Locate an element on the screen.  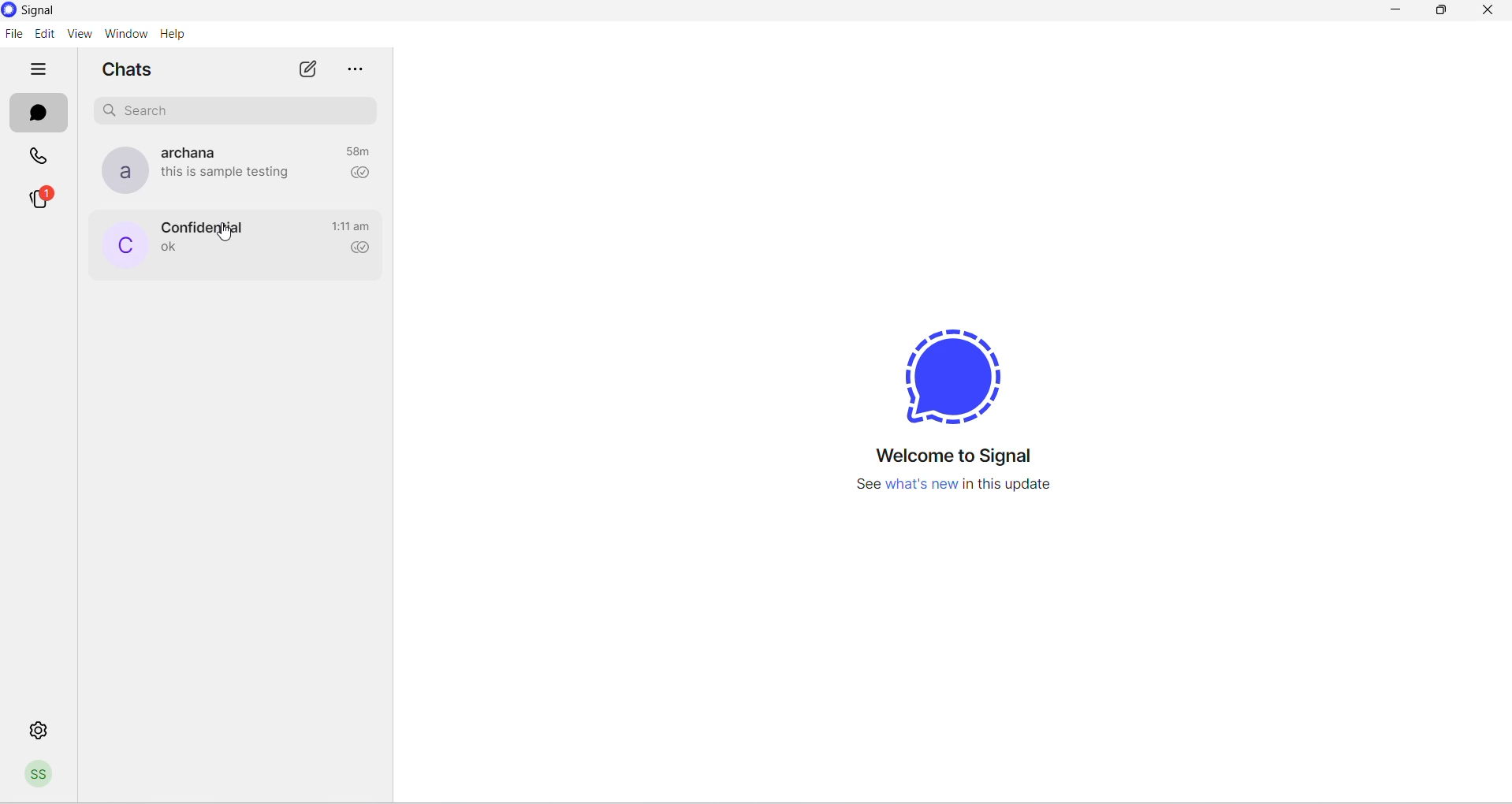
view is located at coordinates (80, 35).